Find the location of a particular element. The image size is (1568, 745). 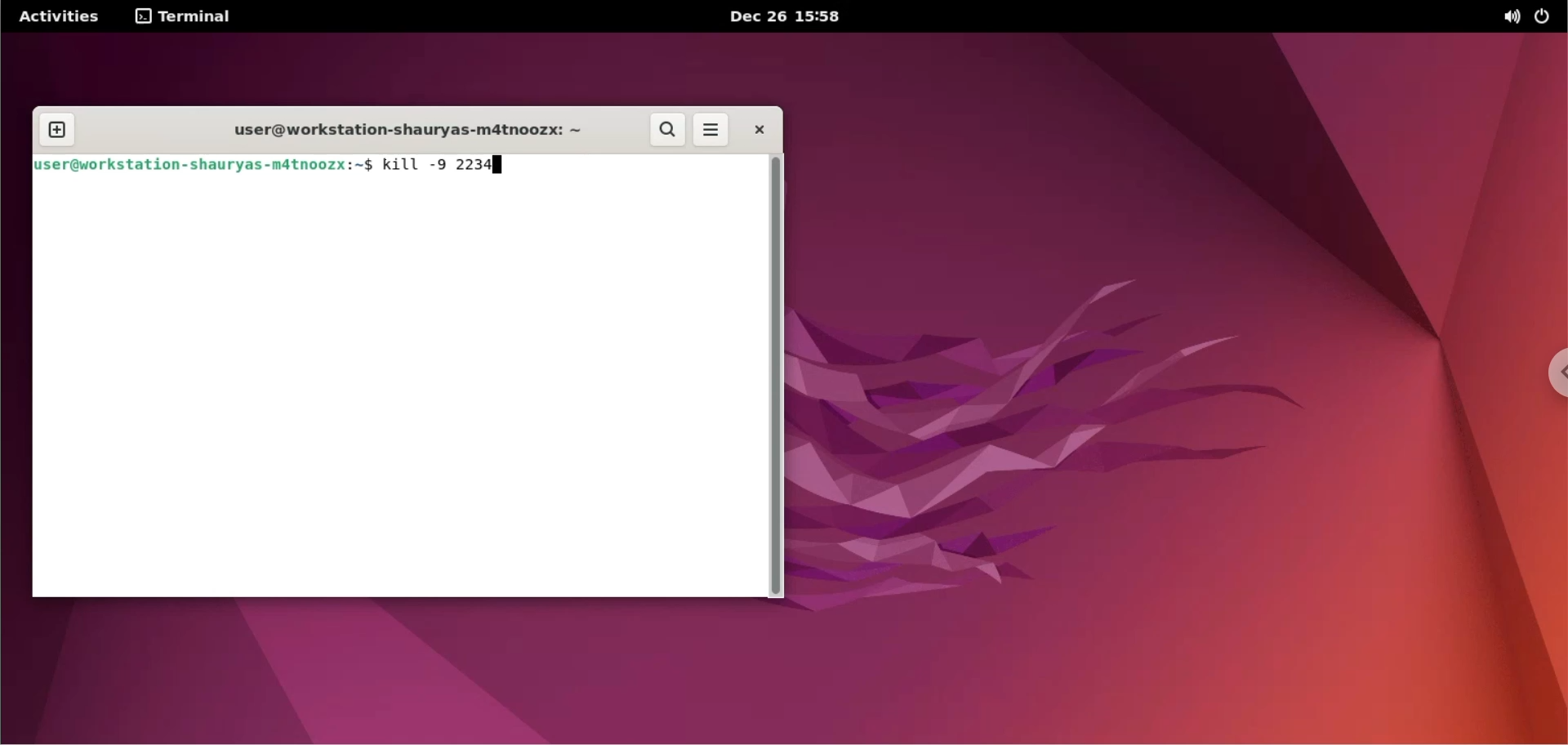

power options is located at coordinates (1550, 16).